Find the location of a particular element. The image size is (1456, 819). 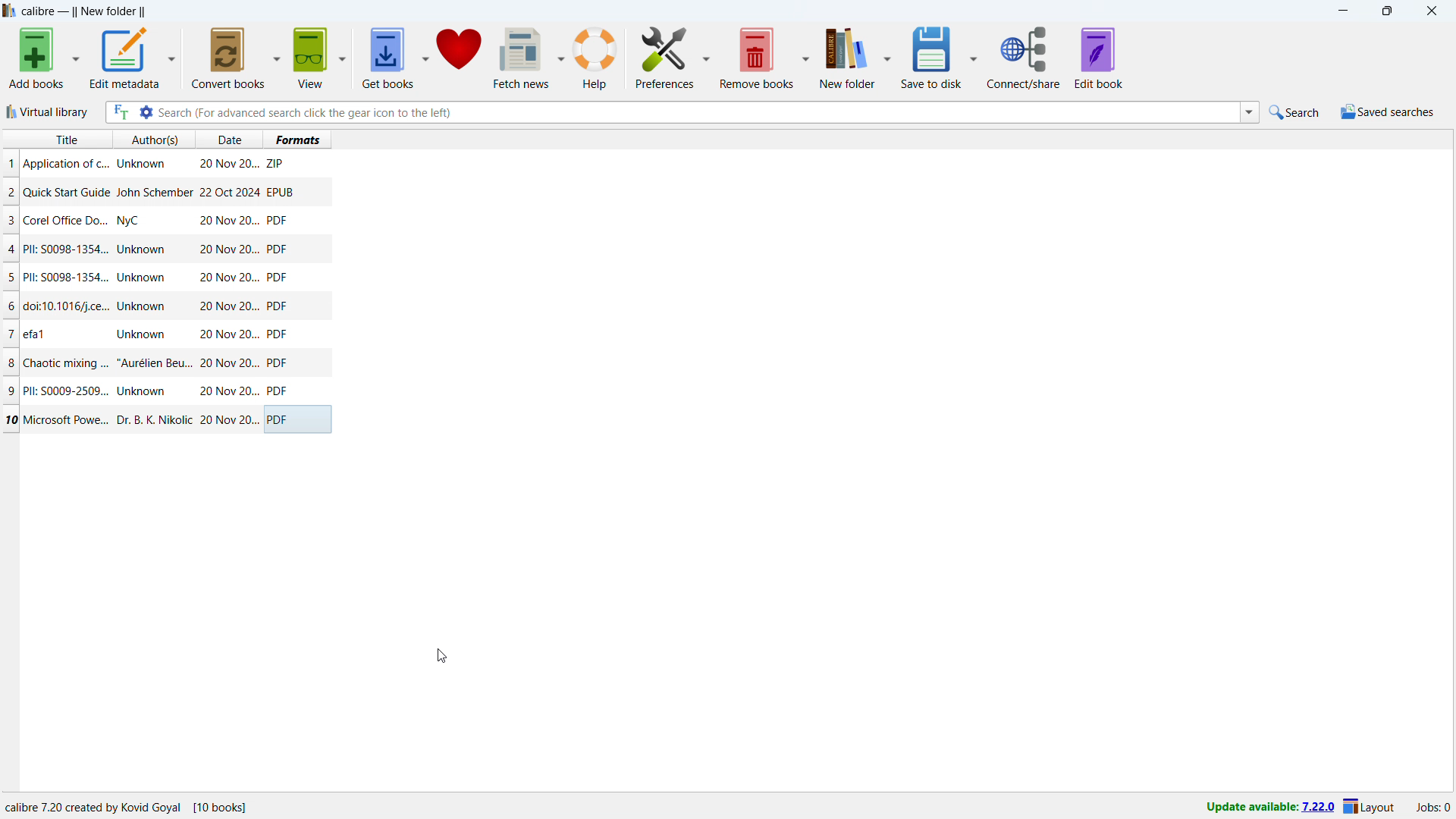

view options is located at coordinates (342, 58).